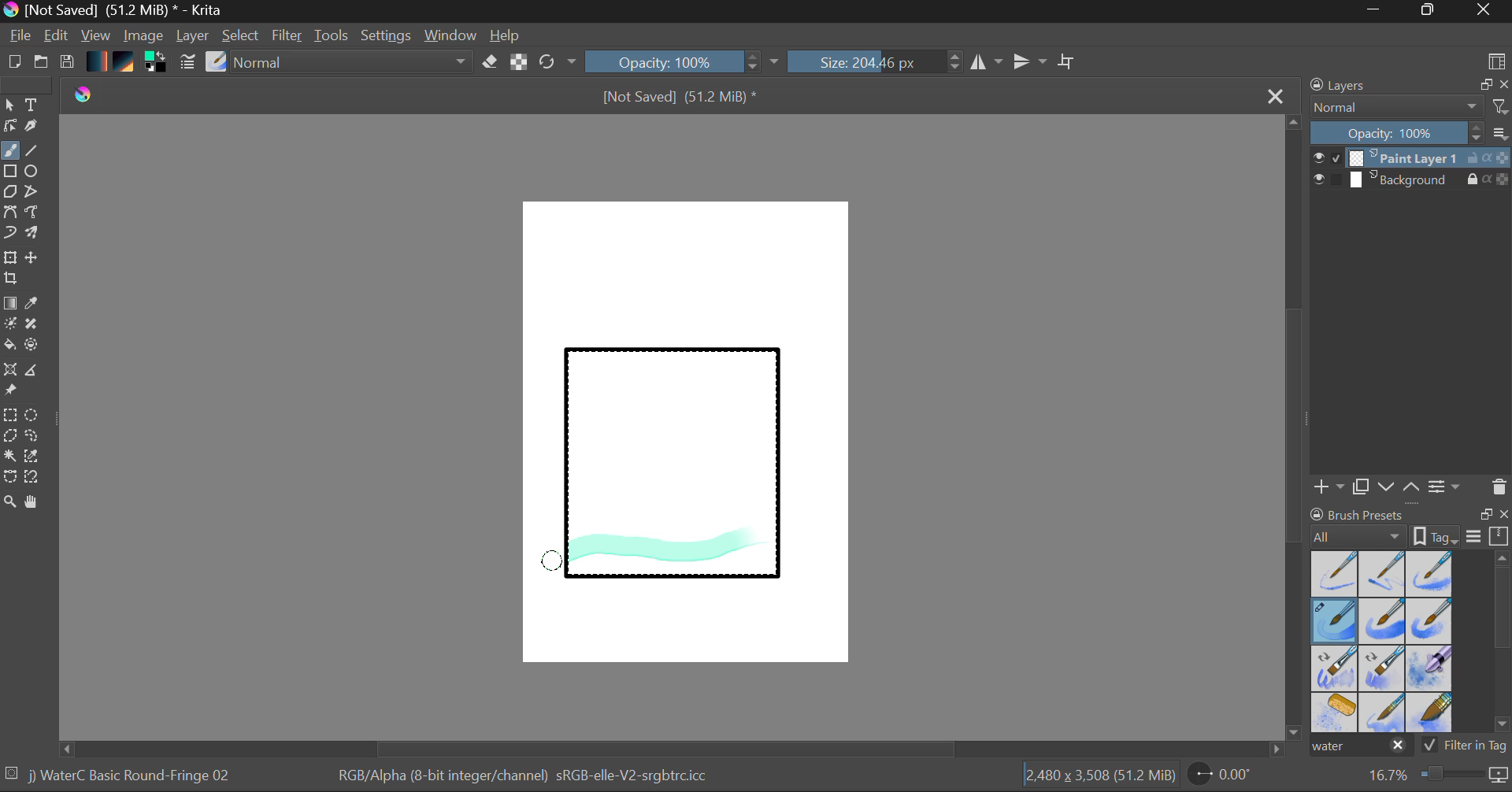  I want to click on Minimize, so click(1431, 11).